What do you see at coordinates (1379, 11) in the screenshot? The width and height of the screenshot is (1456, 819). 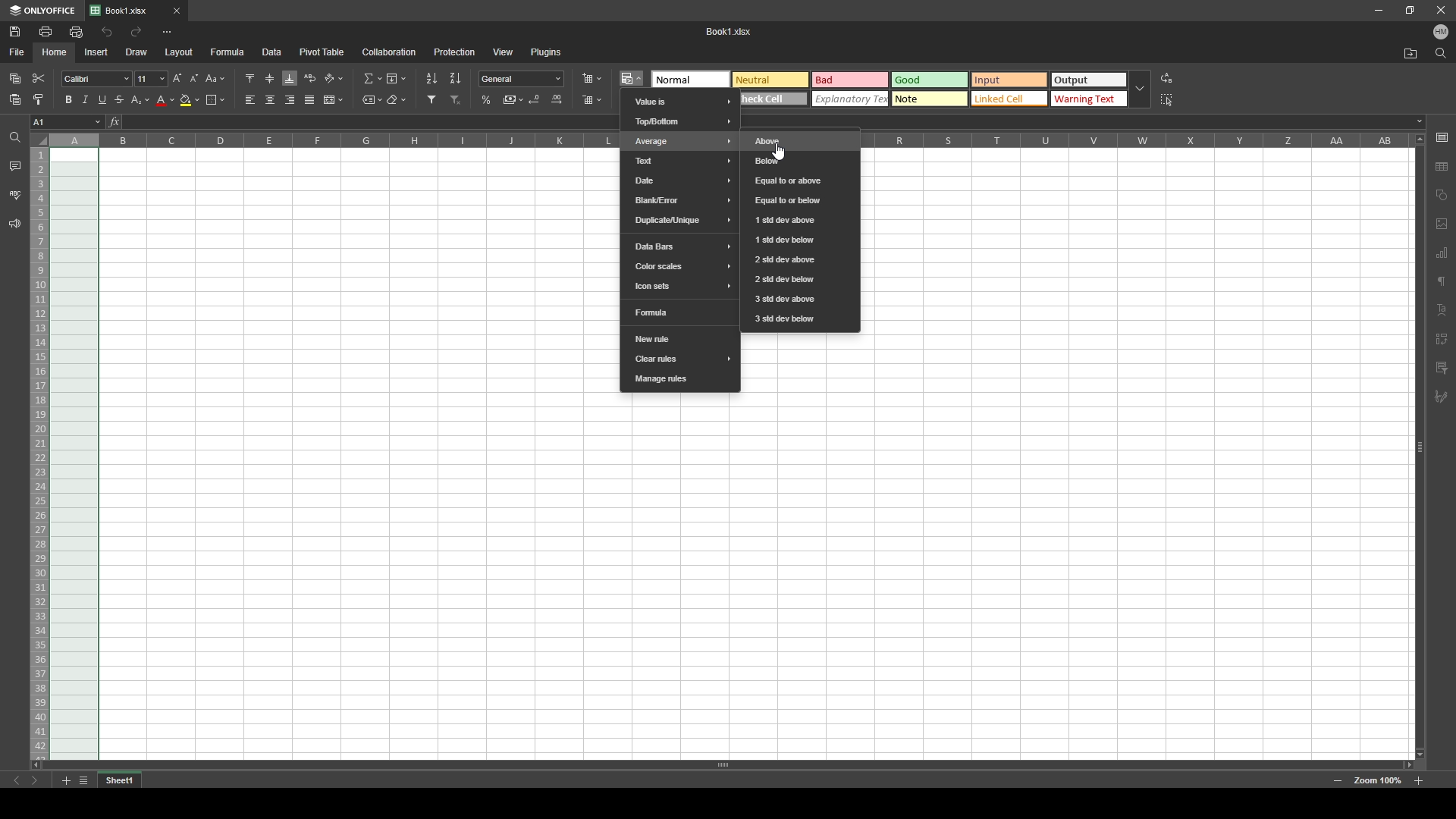 I see `minimize` at bounding box center [1379, 11].